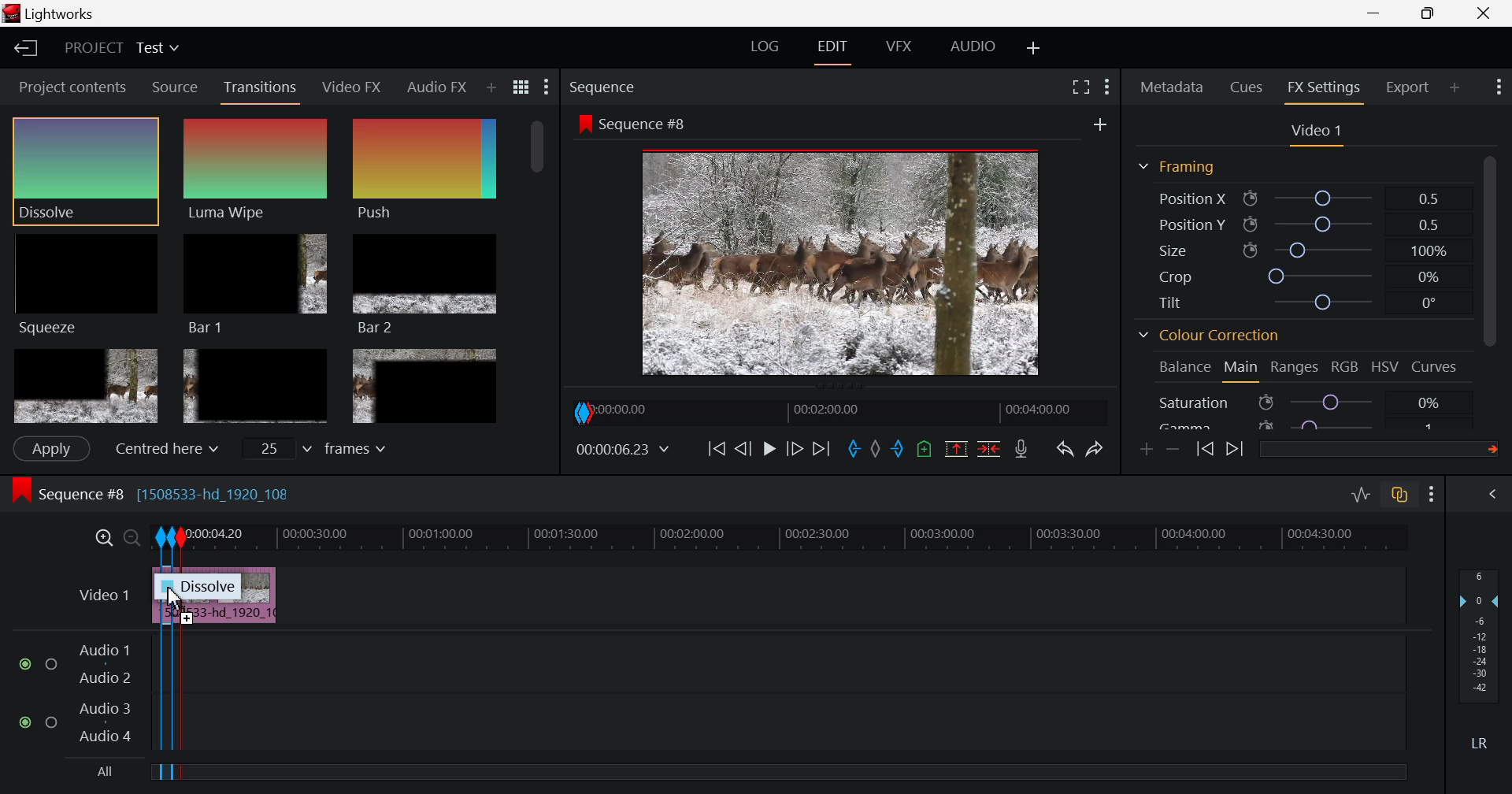  What do you see at coordinates (187, 710) in the screenshot?
I see `Segment Out Mark` at bounding box center [187, 710].